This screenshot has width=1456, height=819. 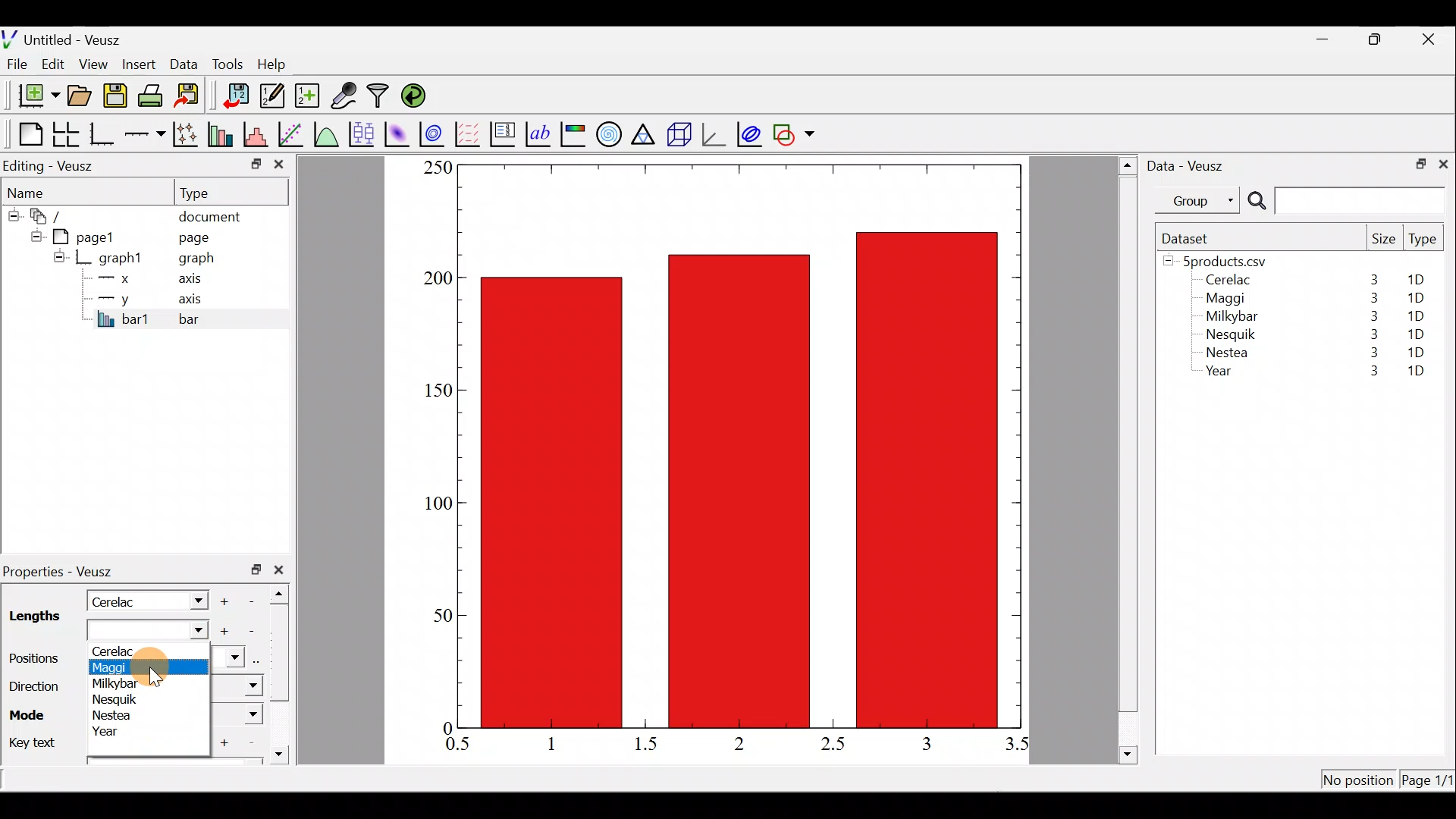 I want to click on File, so click(x=14, y=64).